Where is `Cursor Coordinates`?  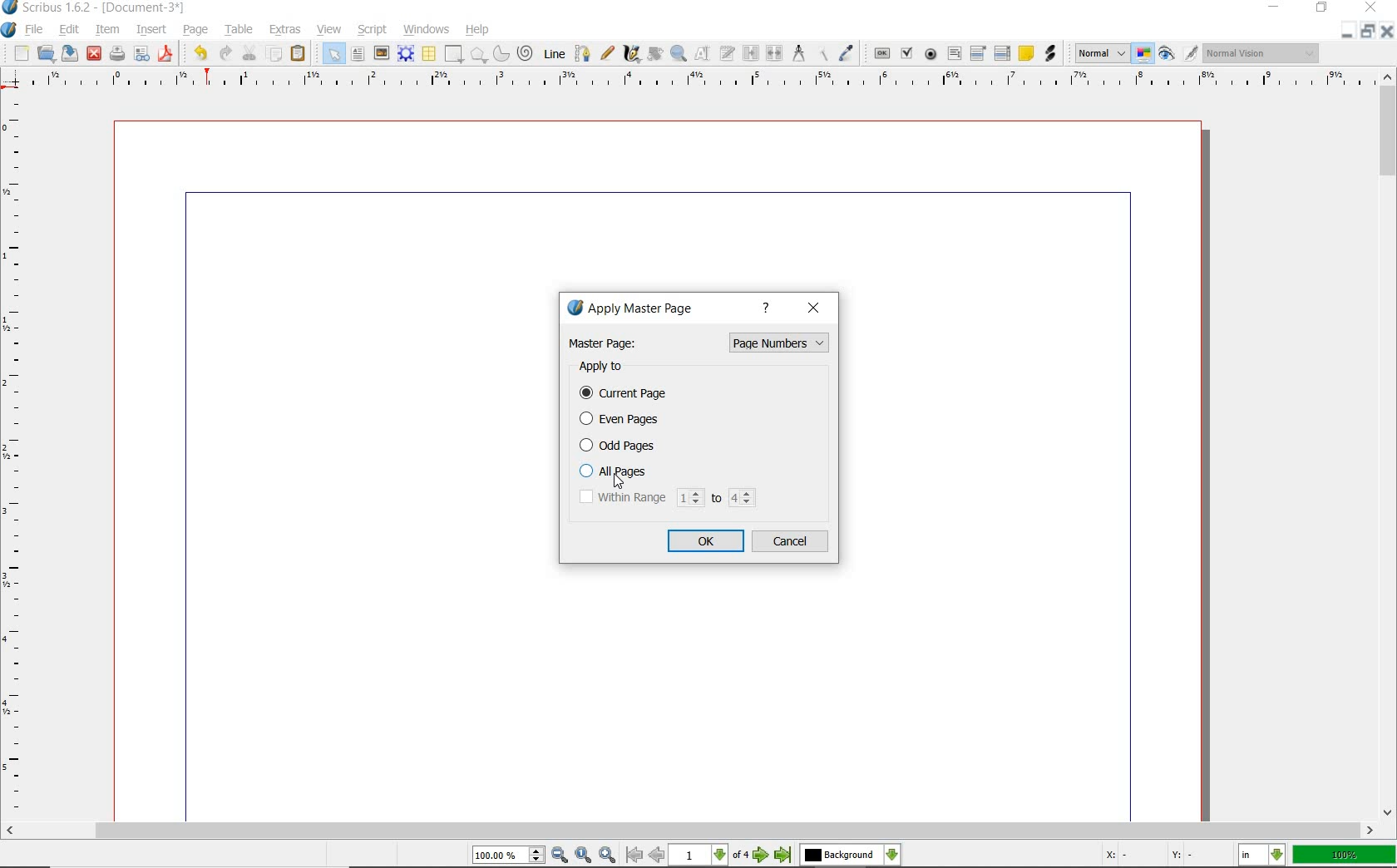
Cursor Coordinates is located at coordinates (1167, 856).